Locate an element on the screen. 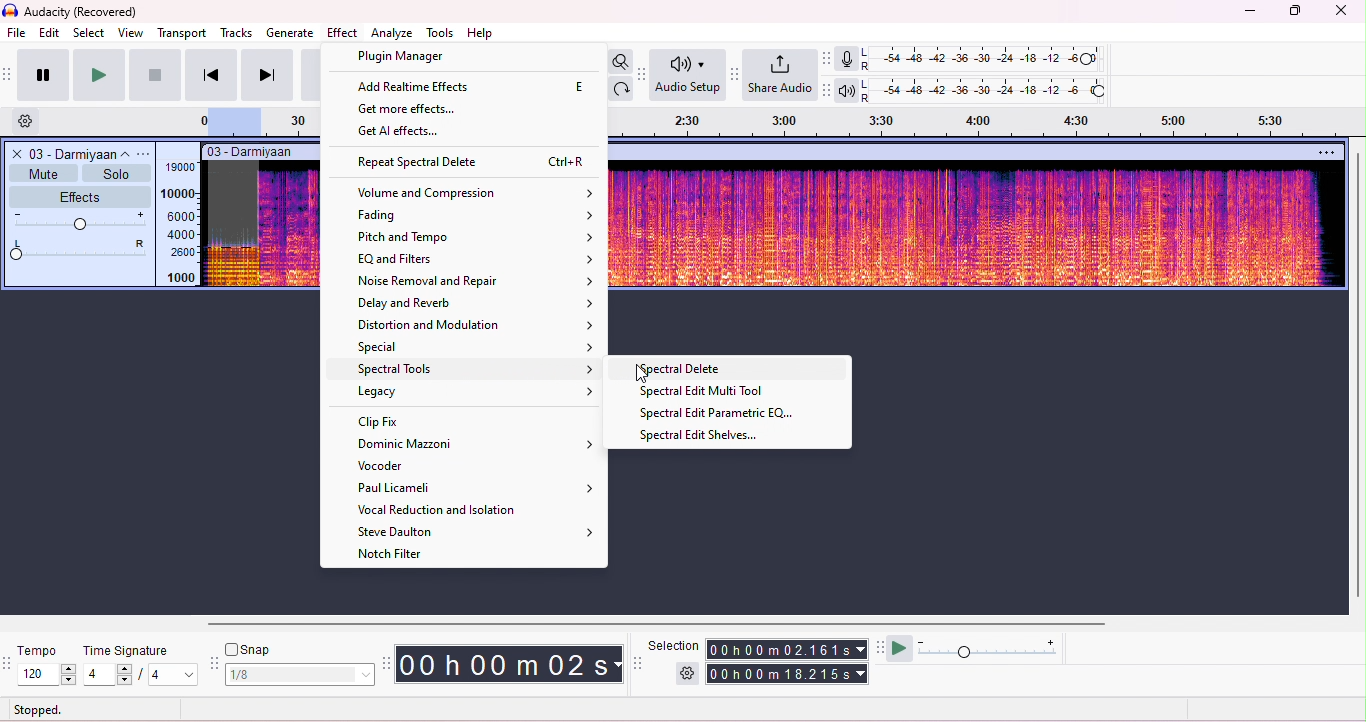 The image size is (1366, 722). maximize is located at coordinates (1294, 13).